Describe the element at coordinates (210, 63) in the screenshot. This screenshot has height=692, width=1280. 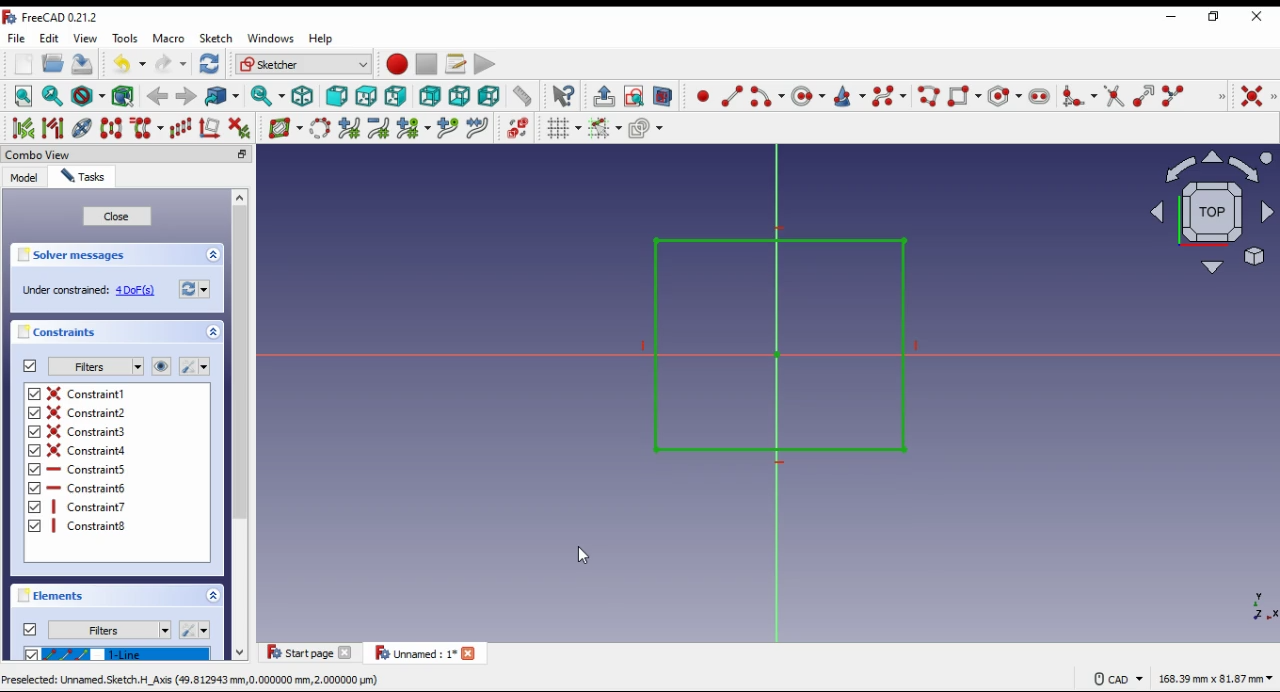
I see `refresh` at that location.